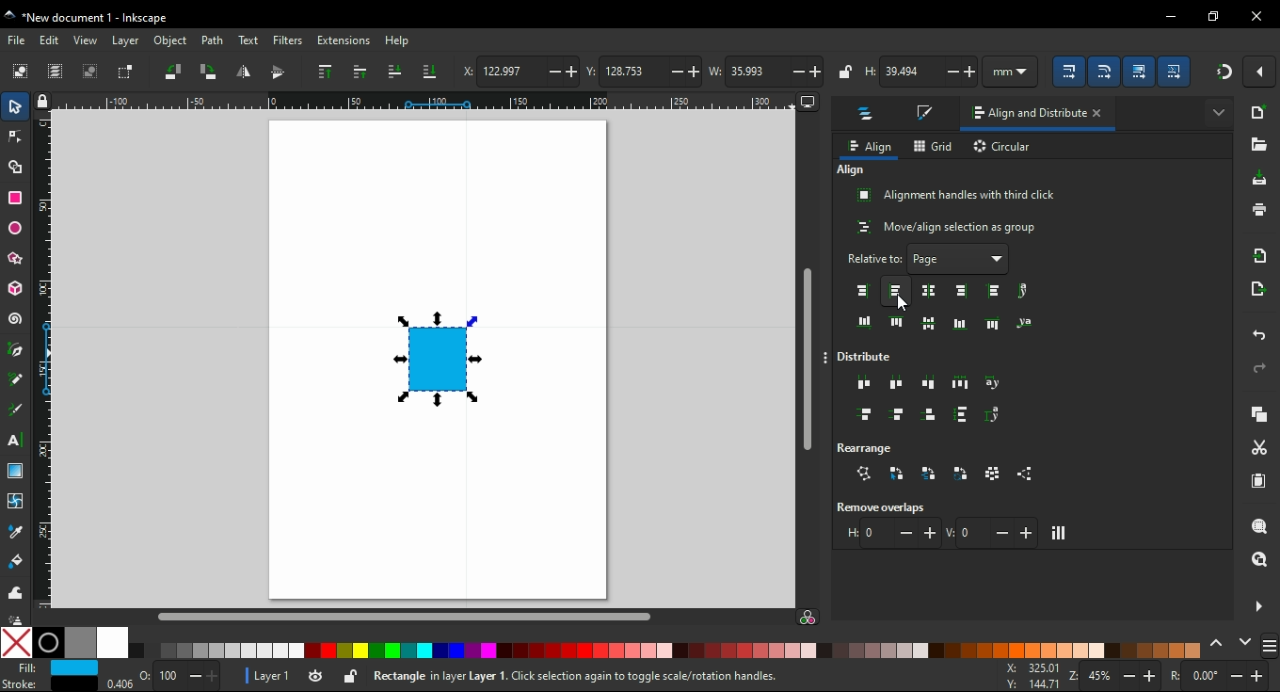 The image size is (1280, 692). I want to click on star/polygon tool, so click(16, 259).